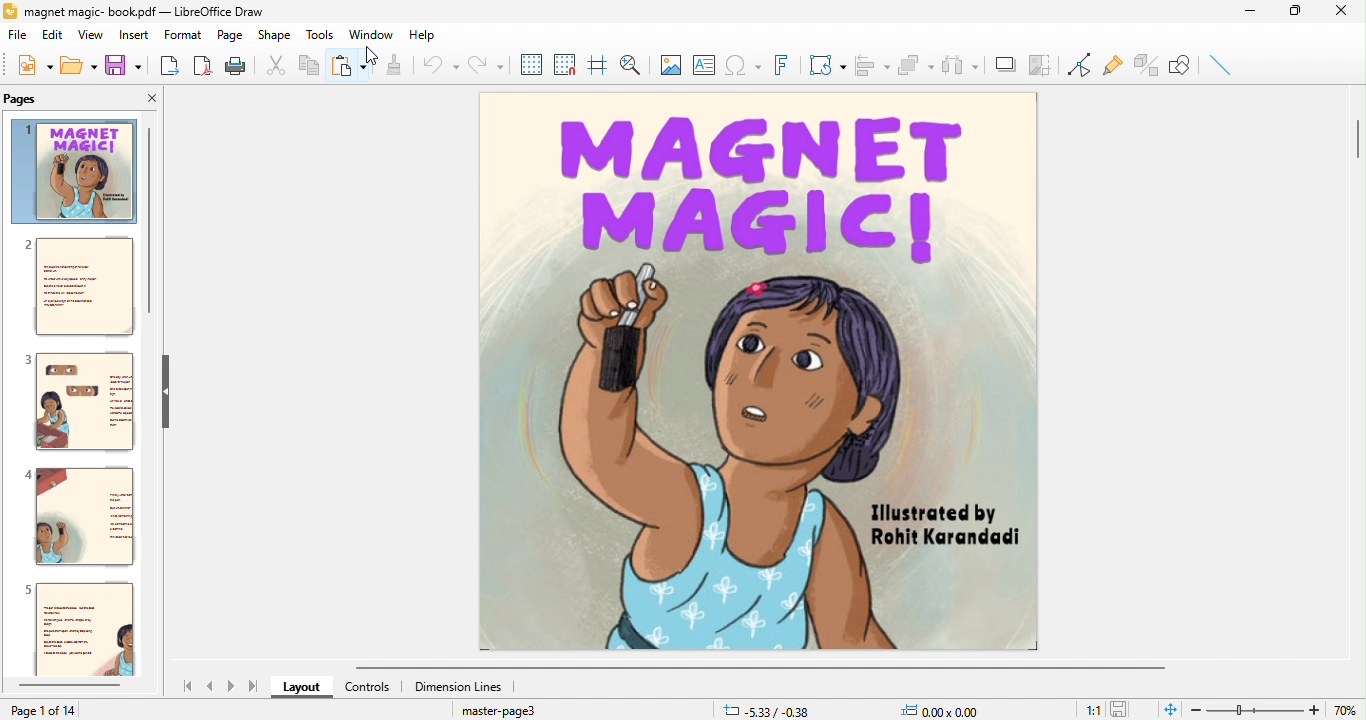 The width and height of the screenshot is (1366, 720). What do you see at coordinates (1088, 709) in the screenshot?
I see `1:1` at bounding box center [1088, 709].